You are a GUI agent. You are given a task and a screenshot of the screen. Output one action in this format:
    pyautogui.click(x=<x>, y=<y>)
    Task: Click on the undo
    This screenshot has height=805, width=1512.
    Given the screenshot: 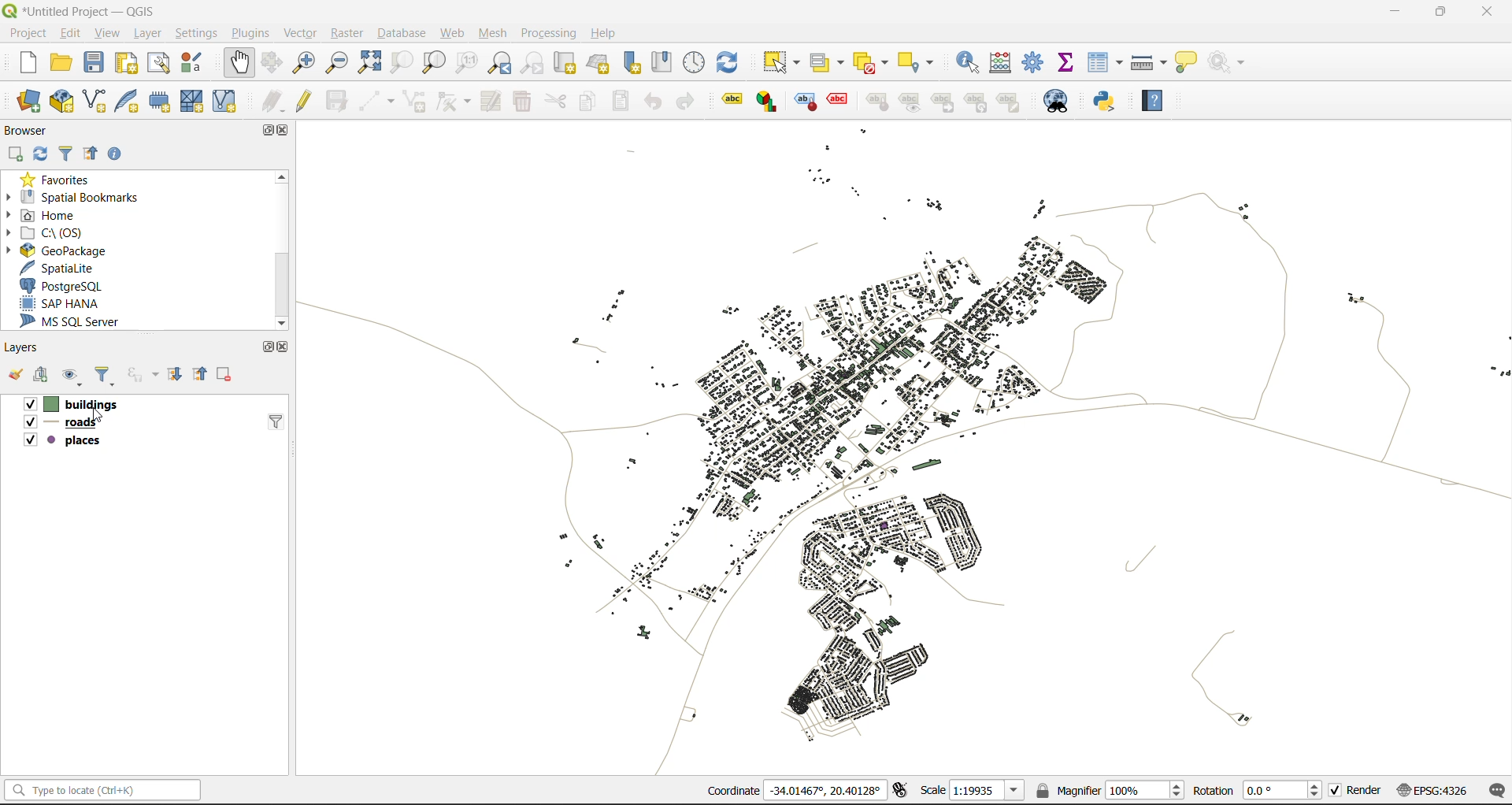 What is the action you would take?
    pyautogui.click(x=656, y=100)
    